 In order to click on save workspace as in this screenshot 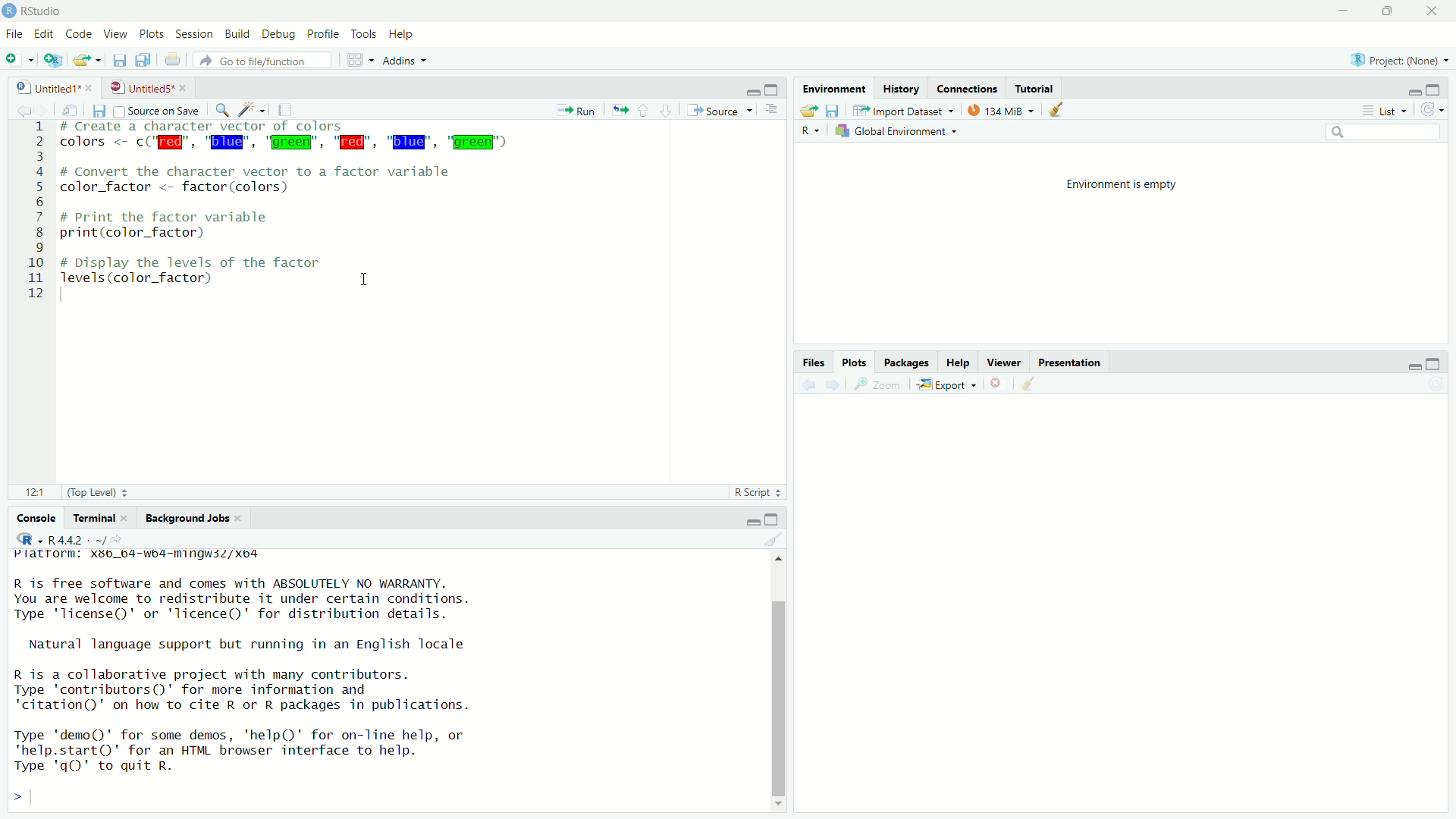, I will do `click(837, 111)`.